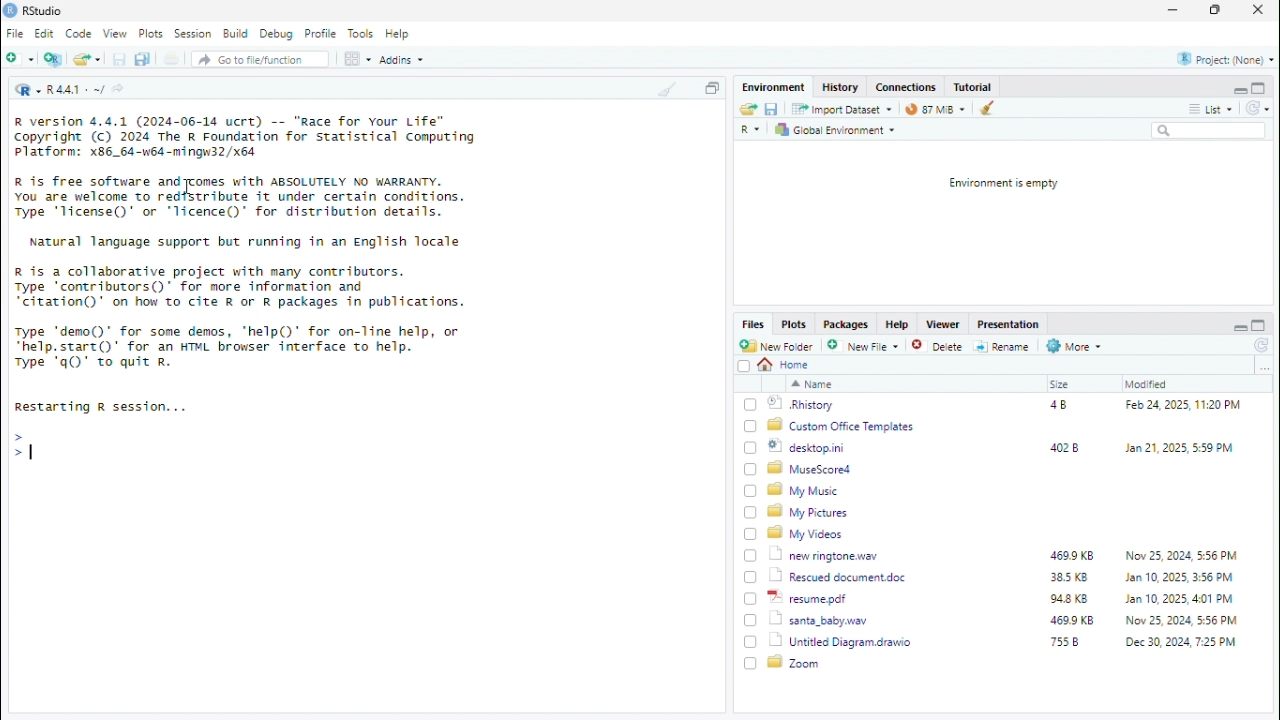  Describe the element at coordinates (865, 346) in the screenshot. I see `New File` at that location.